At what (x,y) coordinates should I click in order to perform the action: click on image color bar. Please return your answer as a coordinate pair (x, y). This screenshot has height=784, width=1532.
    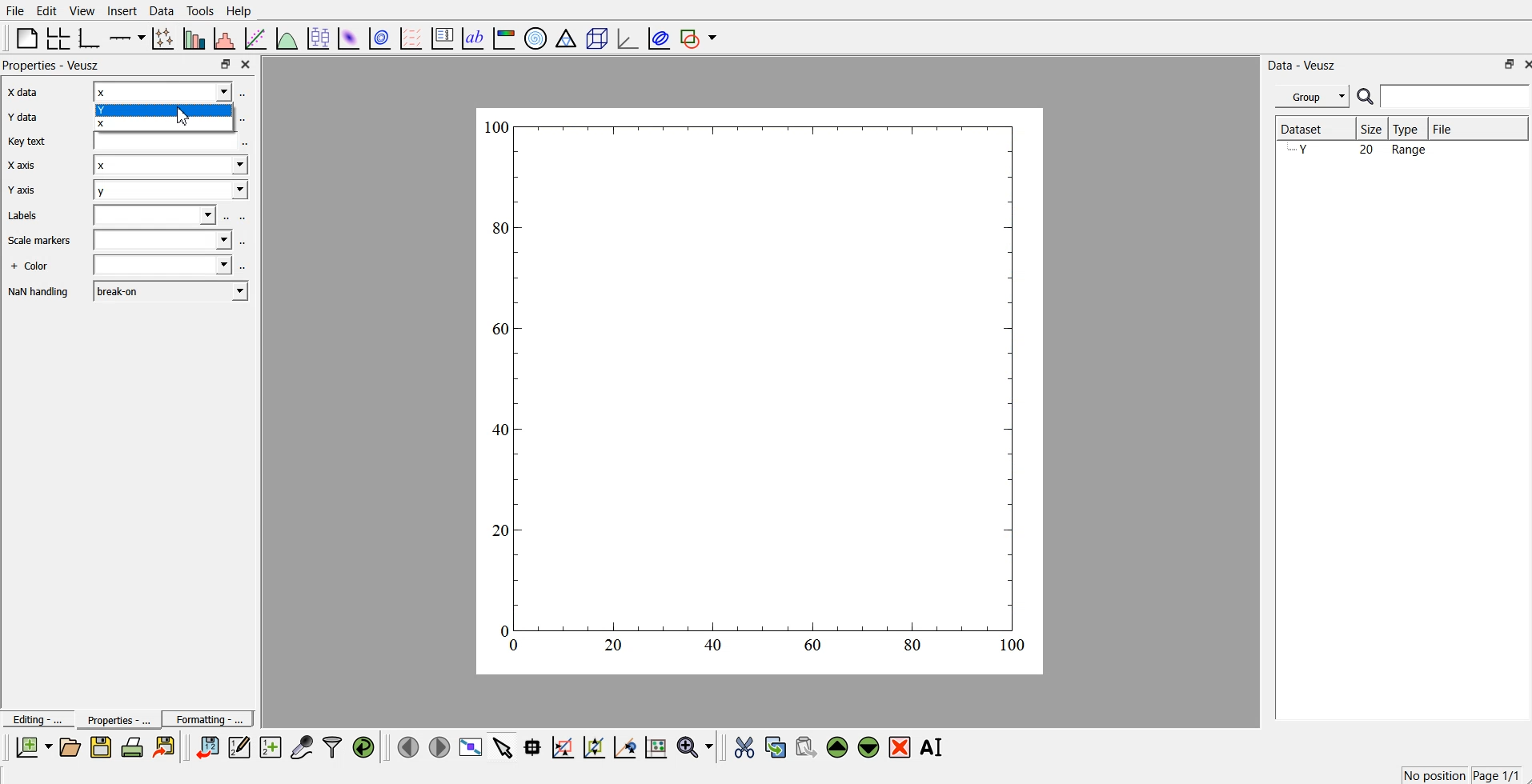
    Looking at the image, I should click on (505, 37).